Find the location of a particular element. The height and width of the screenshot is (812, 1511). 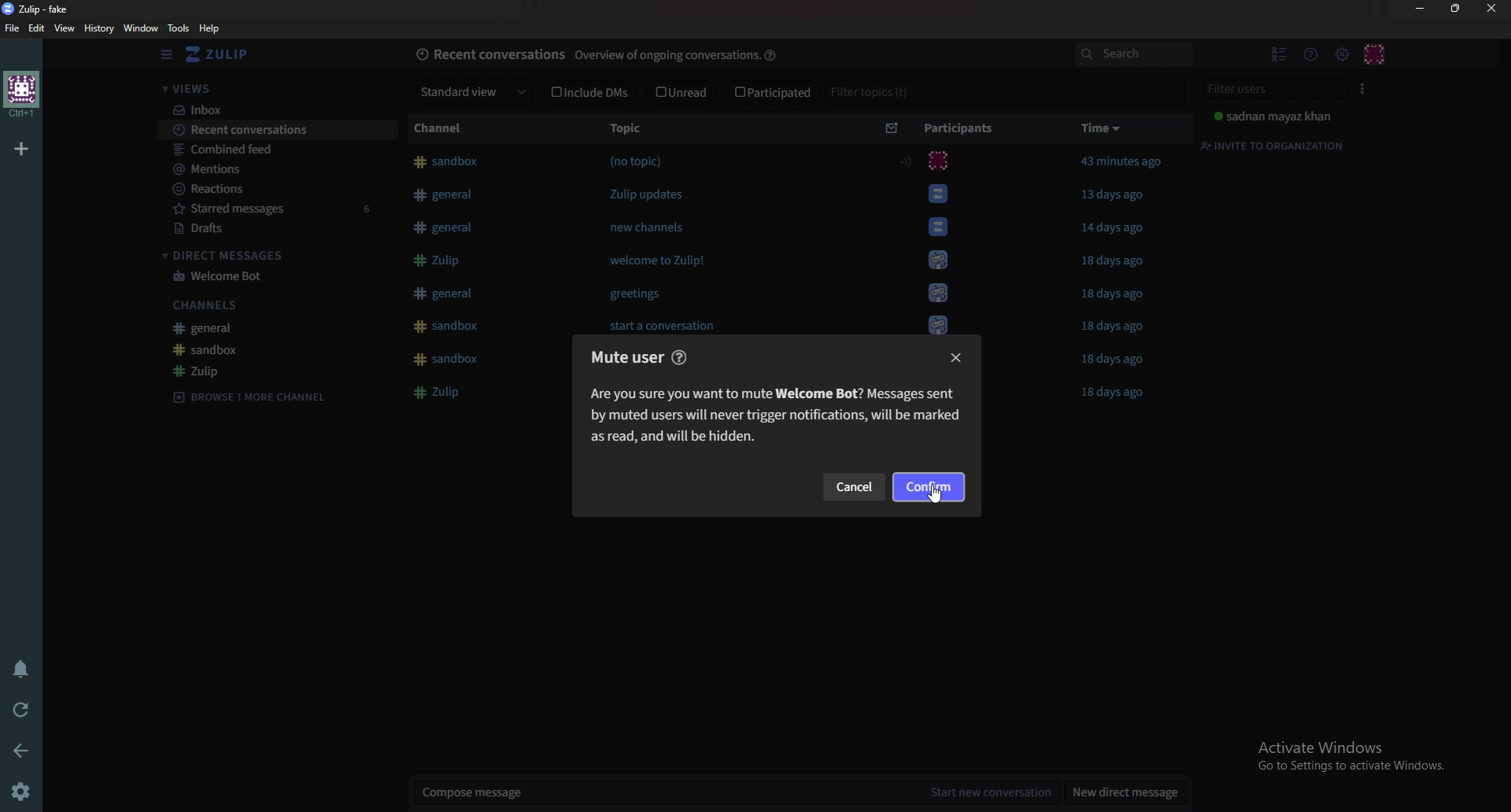

user is located at coordinates (1272, 116).